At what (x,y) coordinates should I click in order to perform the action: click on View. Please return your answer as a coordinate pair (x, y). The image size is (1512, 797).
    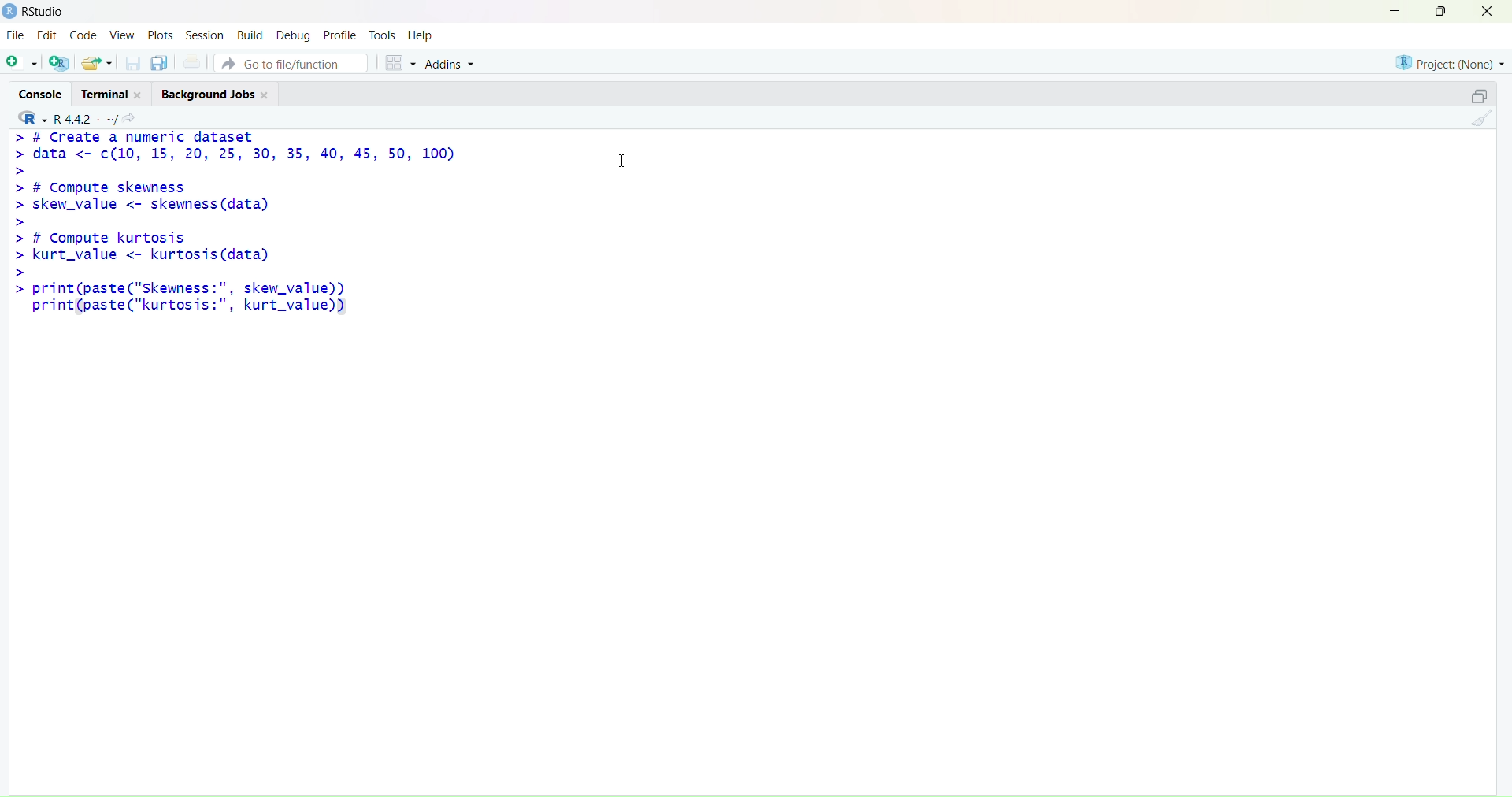
    Looking at the image, I should click on (120, 36).